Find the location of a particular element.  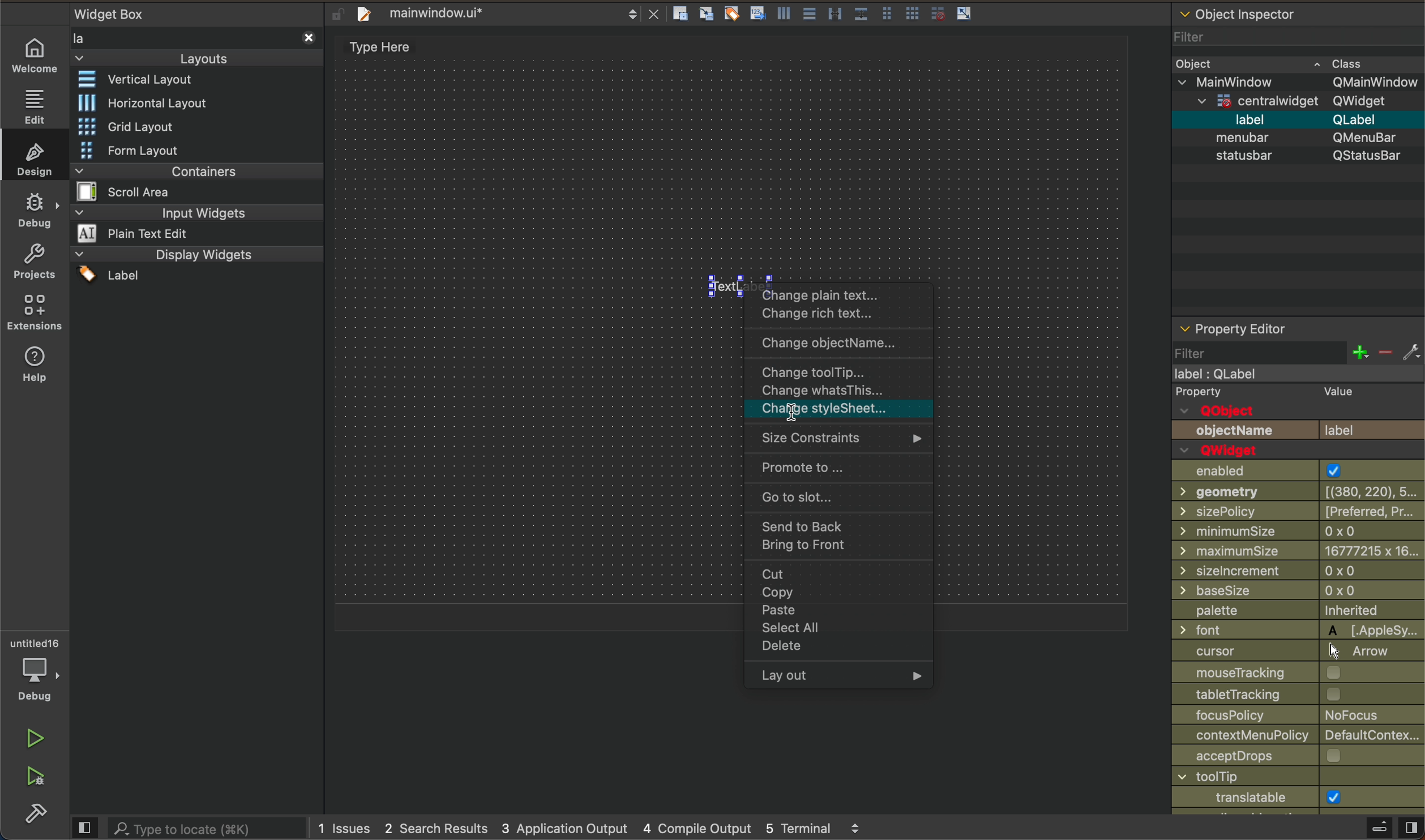

containers is located at coordinates (195, 170).